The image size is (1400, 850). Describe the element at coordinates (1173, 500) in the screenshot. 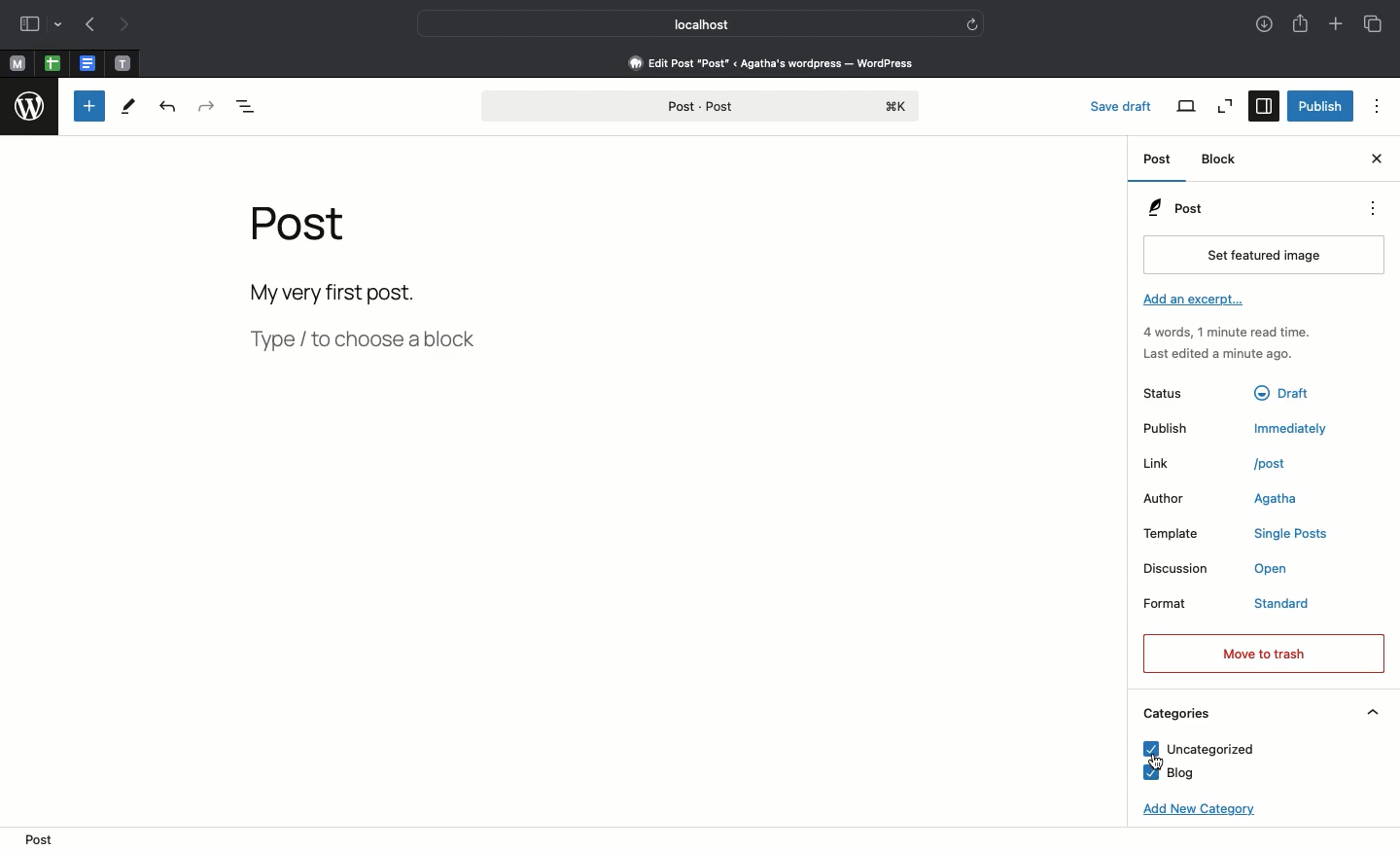

I see `Author` at that location.